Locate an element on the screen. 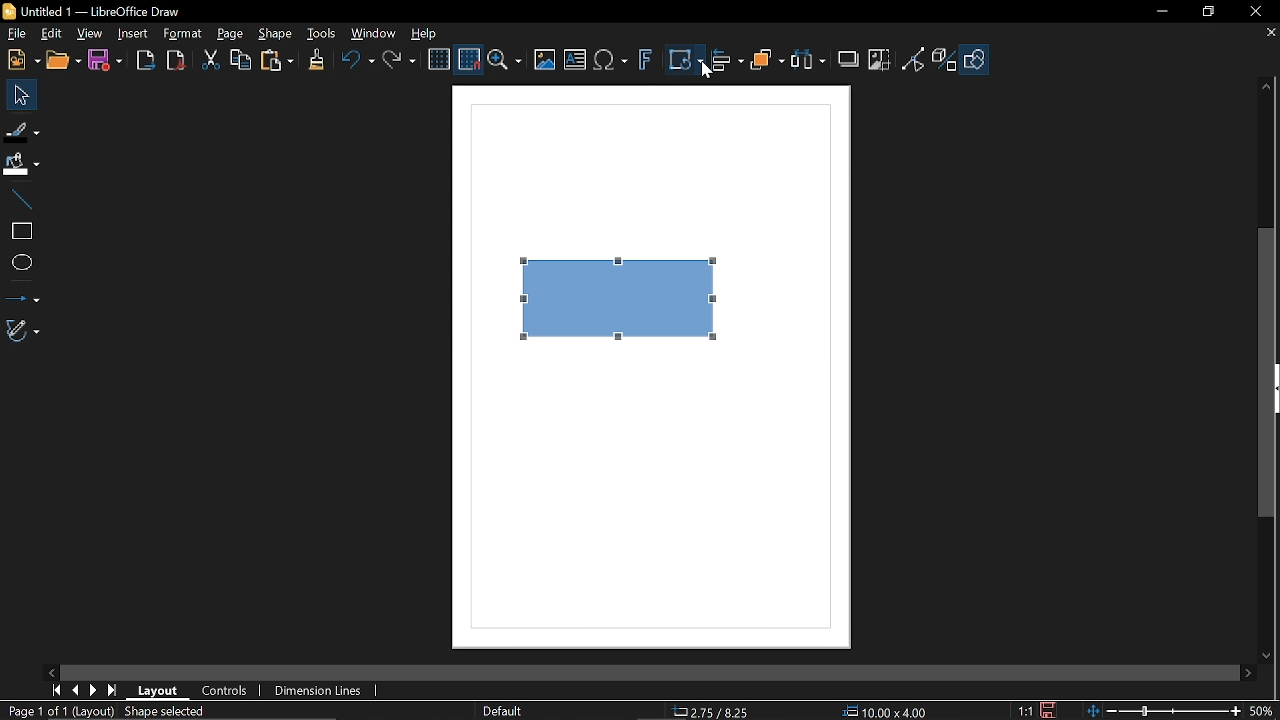 The height and width of the screenshot is (720, 1280). Previous page is located at coordinates (74, 691).